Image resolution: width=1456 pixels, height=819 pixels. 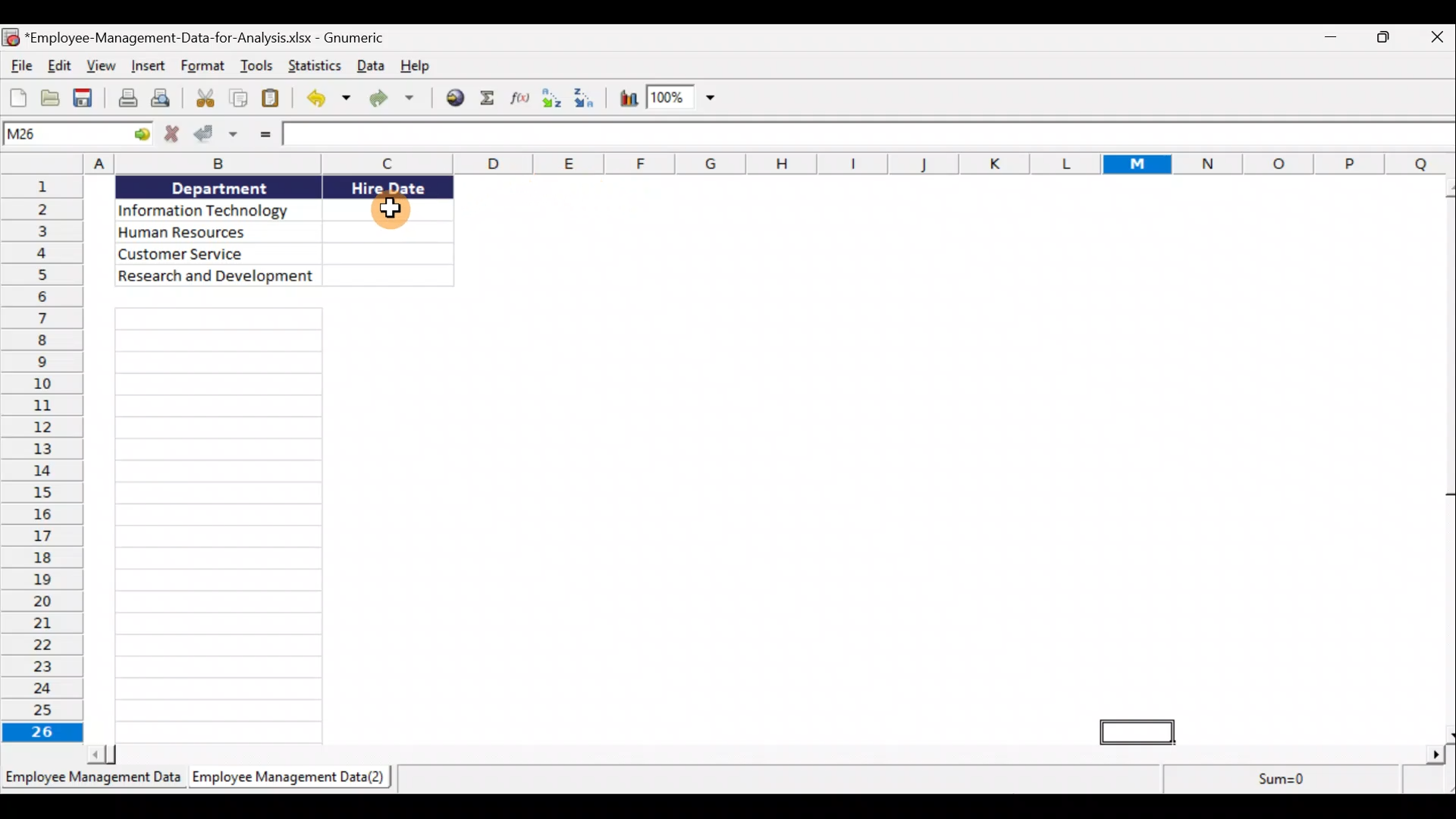 What do you see at coordinates (629, 98) in the screenshot?
I see `Insert a chart` at bounding box center [629, 98].